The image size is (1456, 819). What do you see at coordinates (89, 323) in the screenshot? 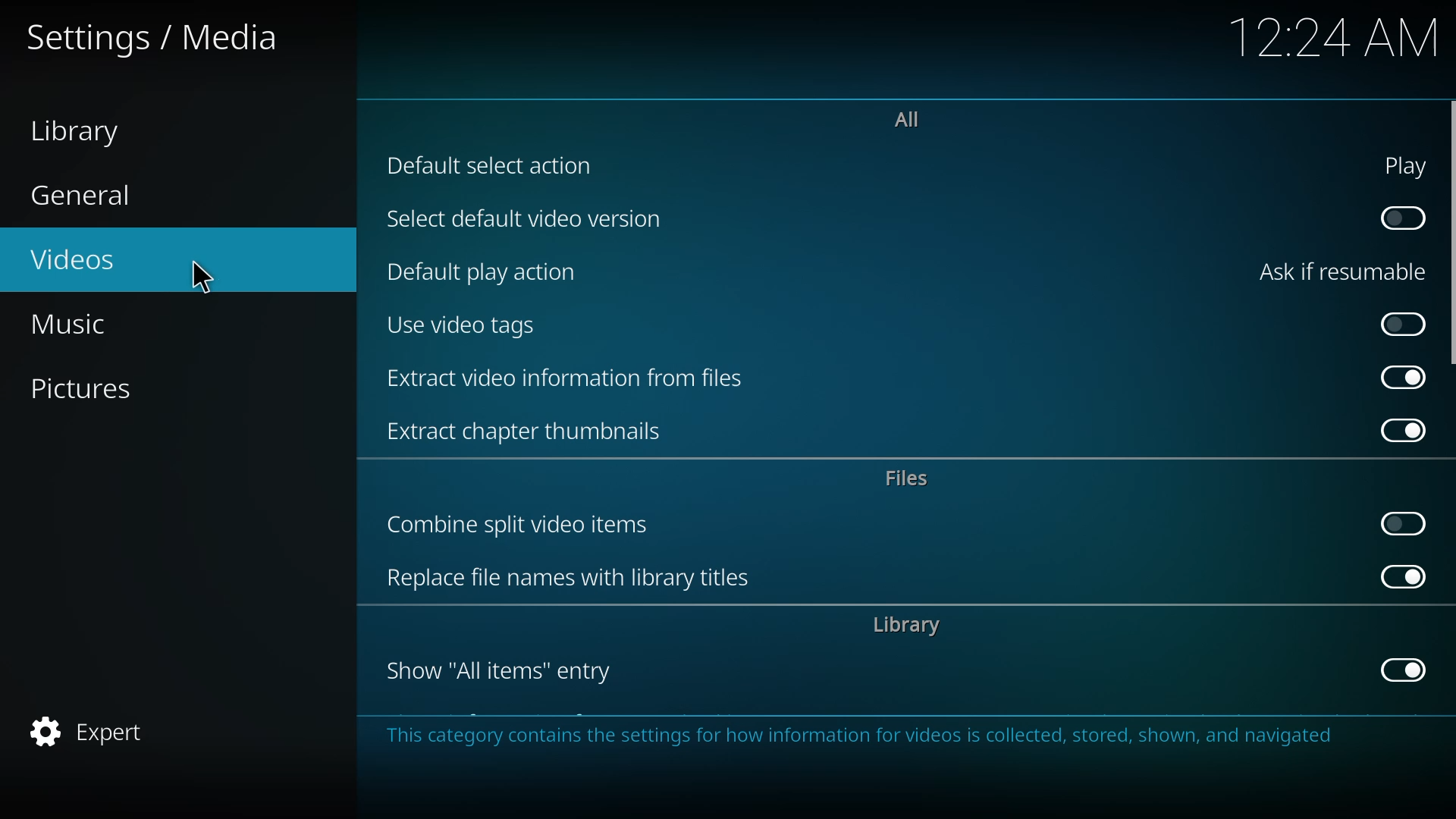
I see `music` at bounding box center [89, 323].